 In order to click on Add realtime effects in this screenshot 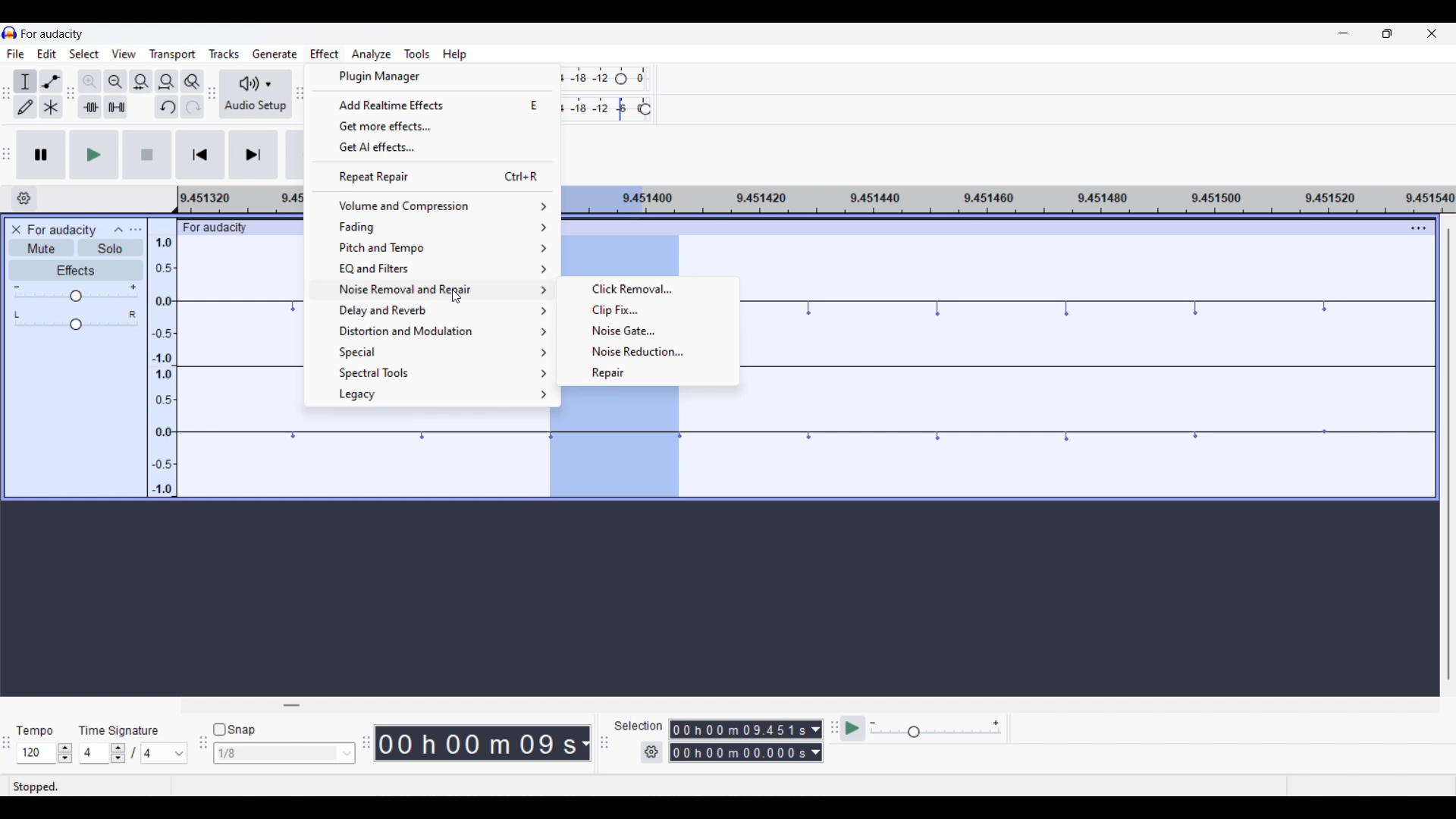, I will do `click(434, 104)`.